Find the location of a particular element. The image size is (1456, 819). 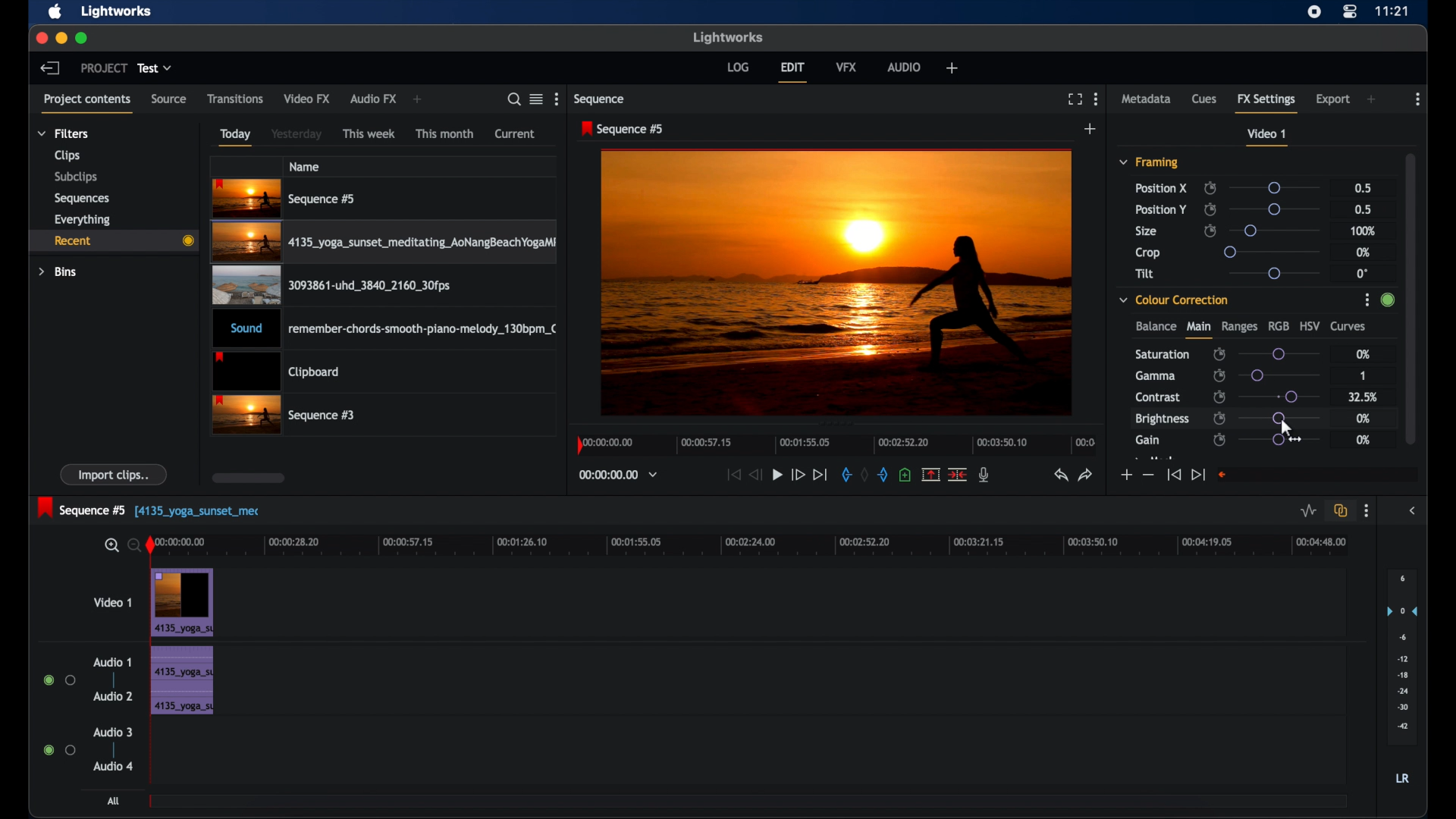

audio is located at coordinates (905, 67).